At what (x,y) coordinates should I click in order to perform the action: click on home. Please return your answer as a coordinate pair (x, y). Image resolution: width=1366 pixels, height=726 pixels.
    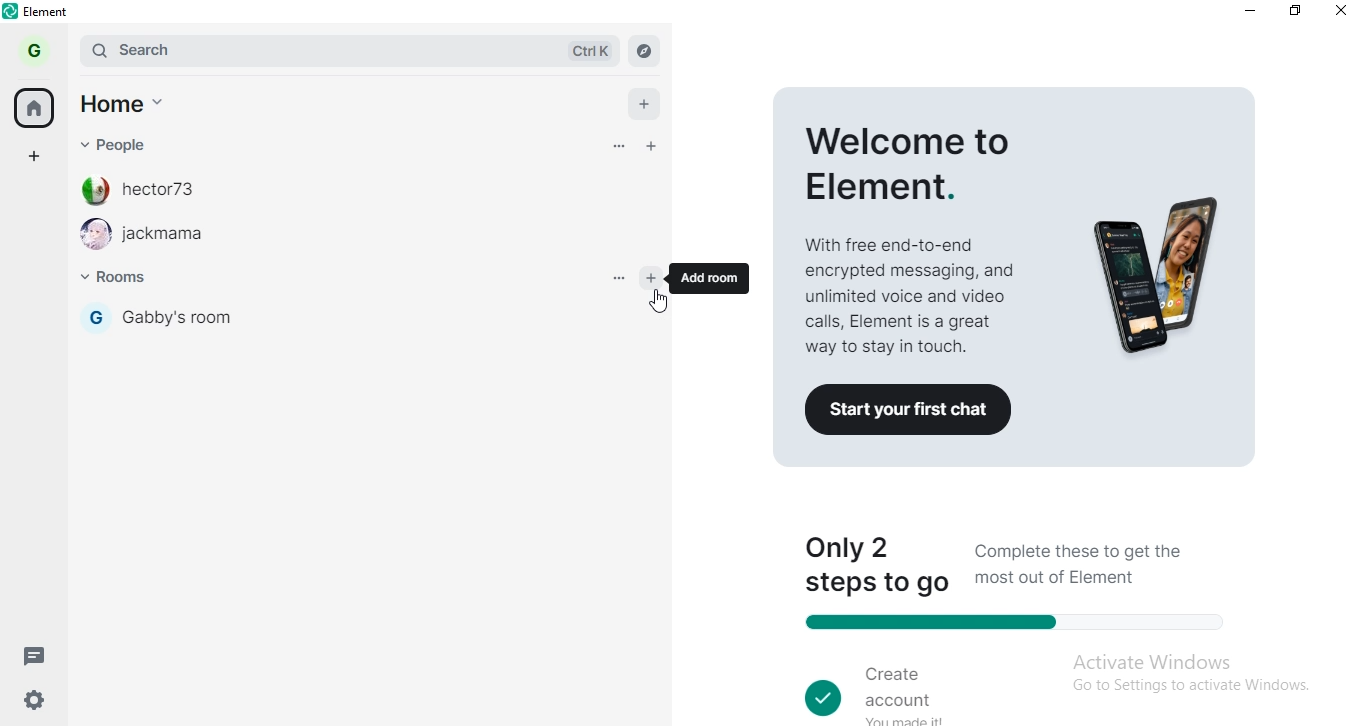
    Looking at the image, I should click on (37, 108).